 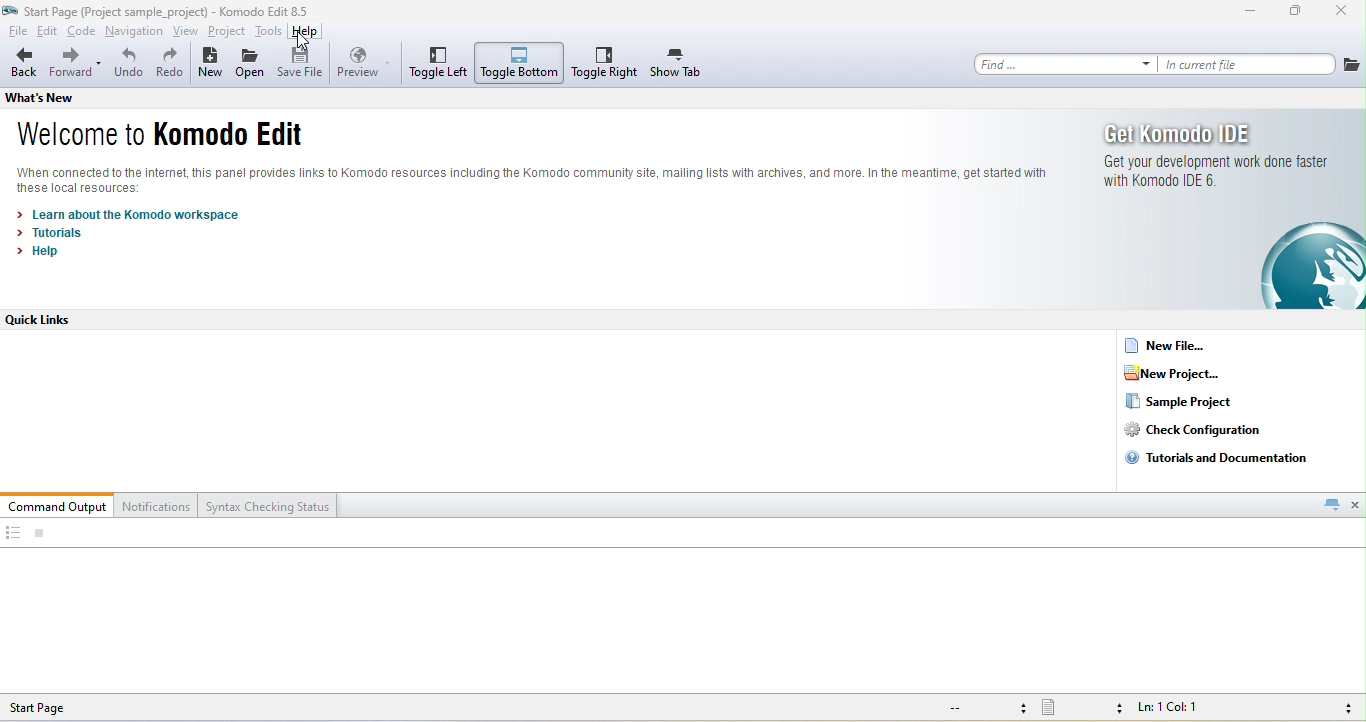 What do you see at coordinates (131, 215) in the screenshot?
I see `learn about the komodo workspace` at bounding box center [131, 215].